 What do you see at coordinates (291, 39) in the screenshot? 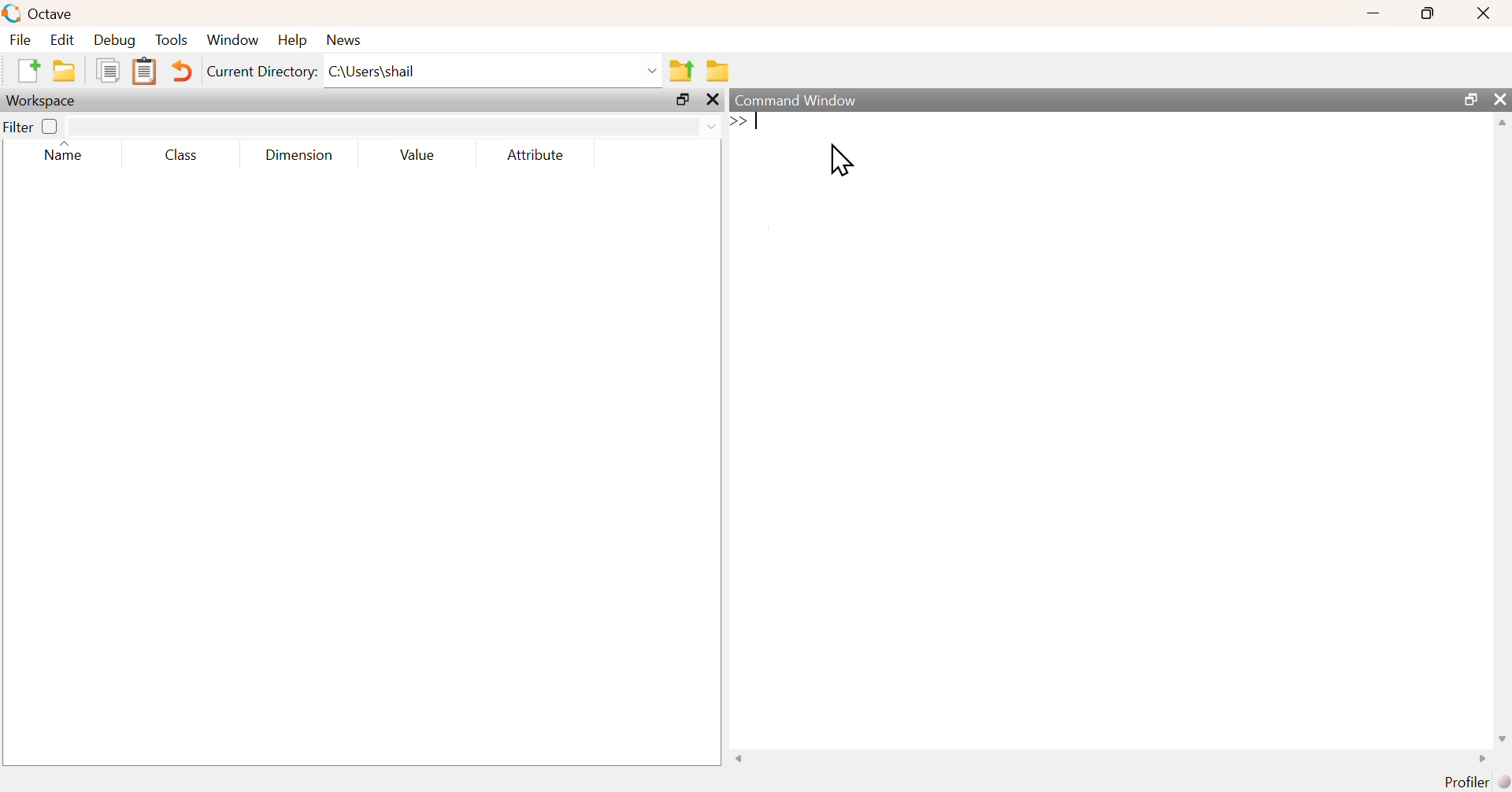
I see `Help` at bounding box center [291, 39].